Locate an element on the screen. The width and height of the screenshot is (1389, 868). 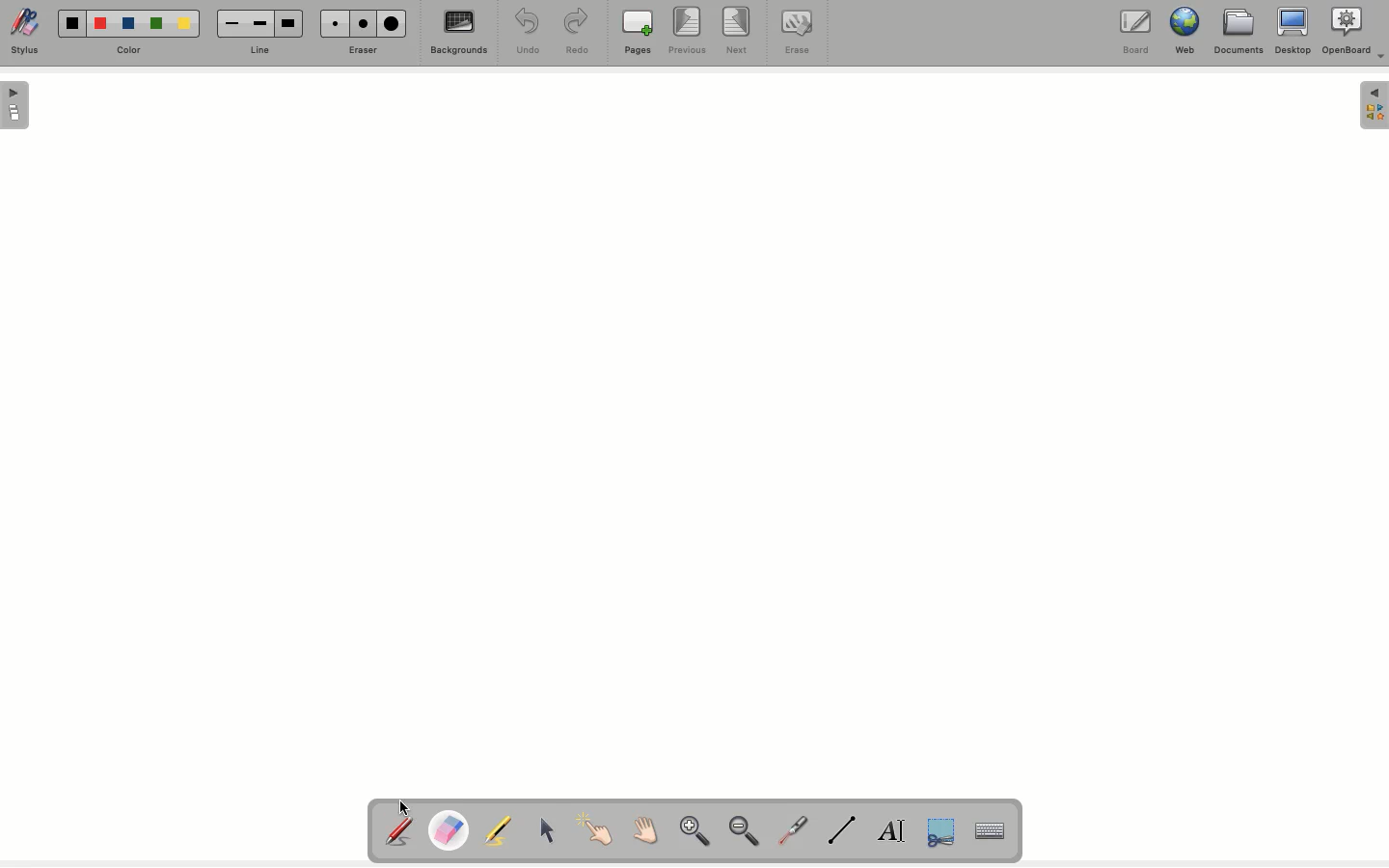
Keyboard is located at coordinates (991, 830).